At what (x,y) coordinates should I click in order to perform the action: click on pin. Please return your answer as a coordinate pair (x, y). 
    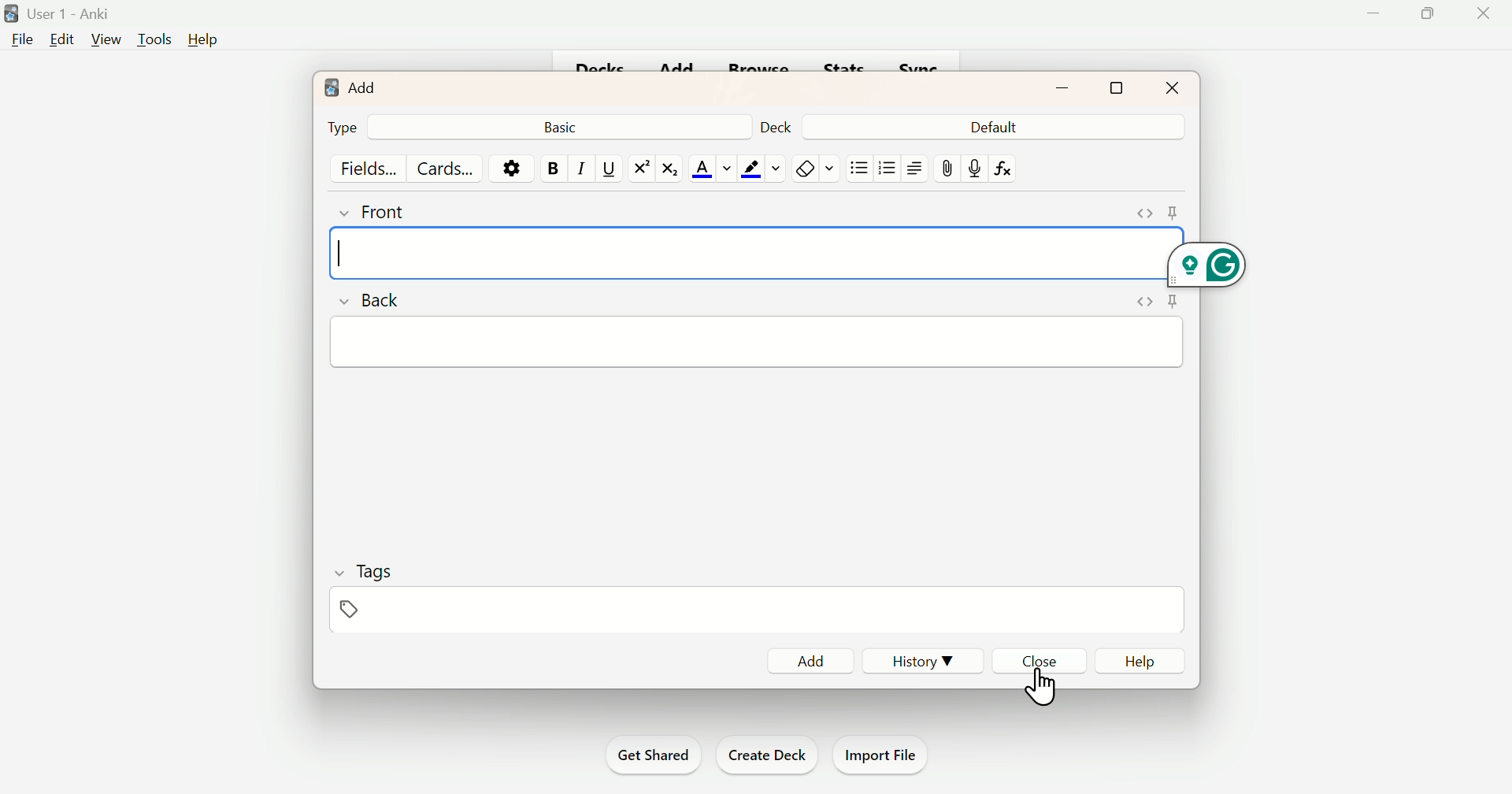
    Looking at the image, I should click on (1175, 211).